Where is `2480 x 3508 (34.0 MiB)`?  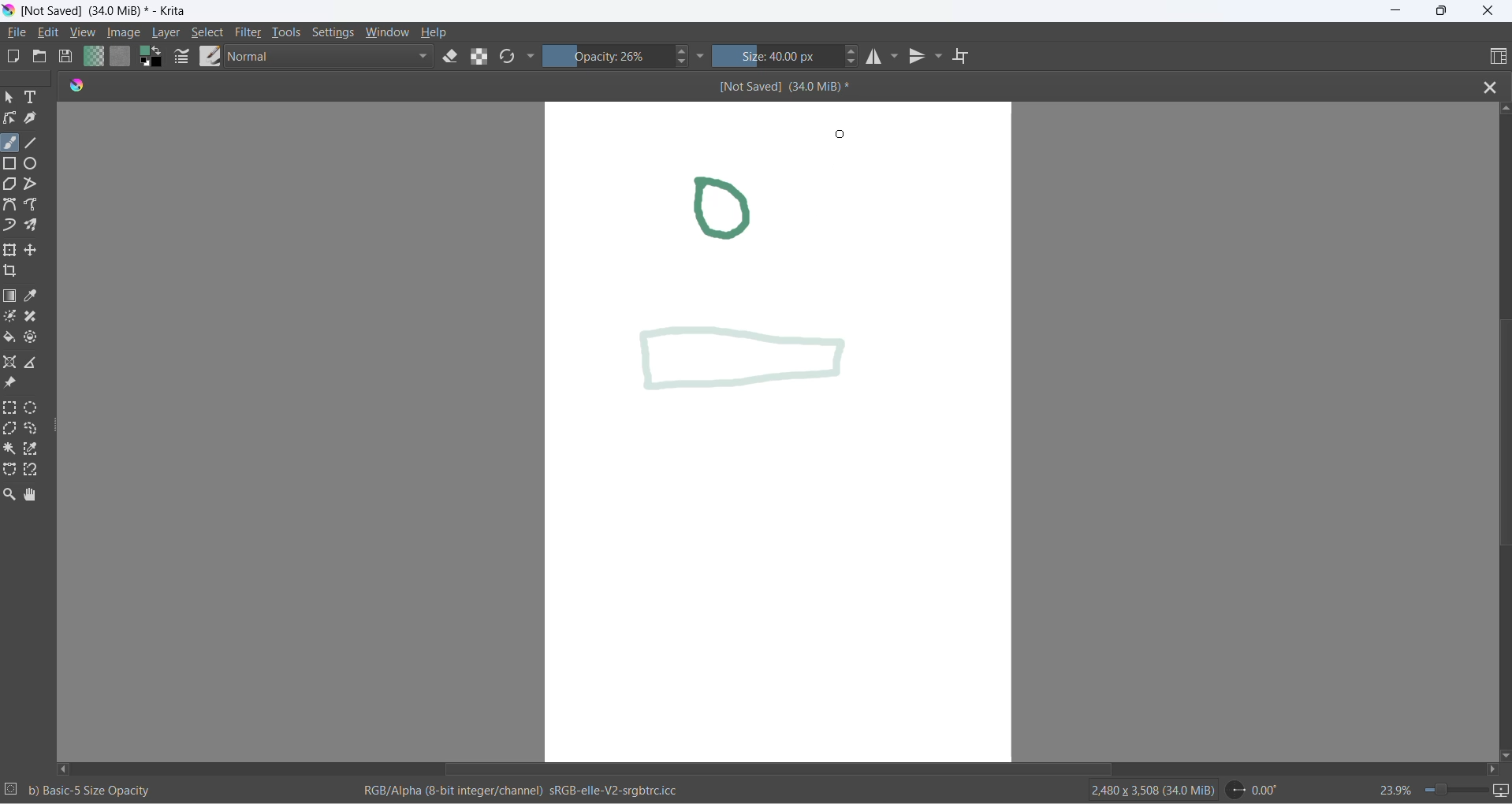 2480 x 3508 (34.0 MiB) is located at coordinates (1145, 791).